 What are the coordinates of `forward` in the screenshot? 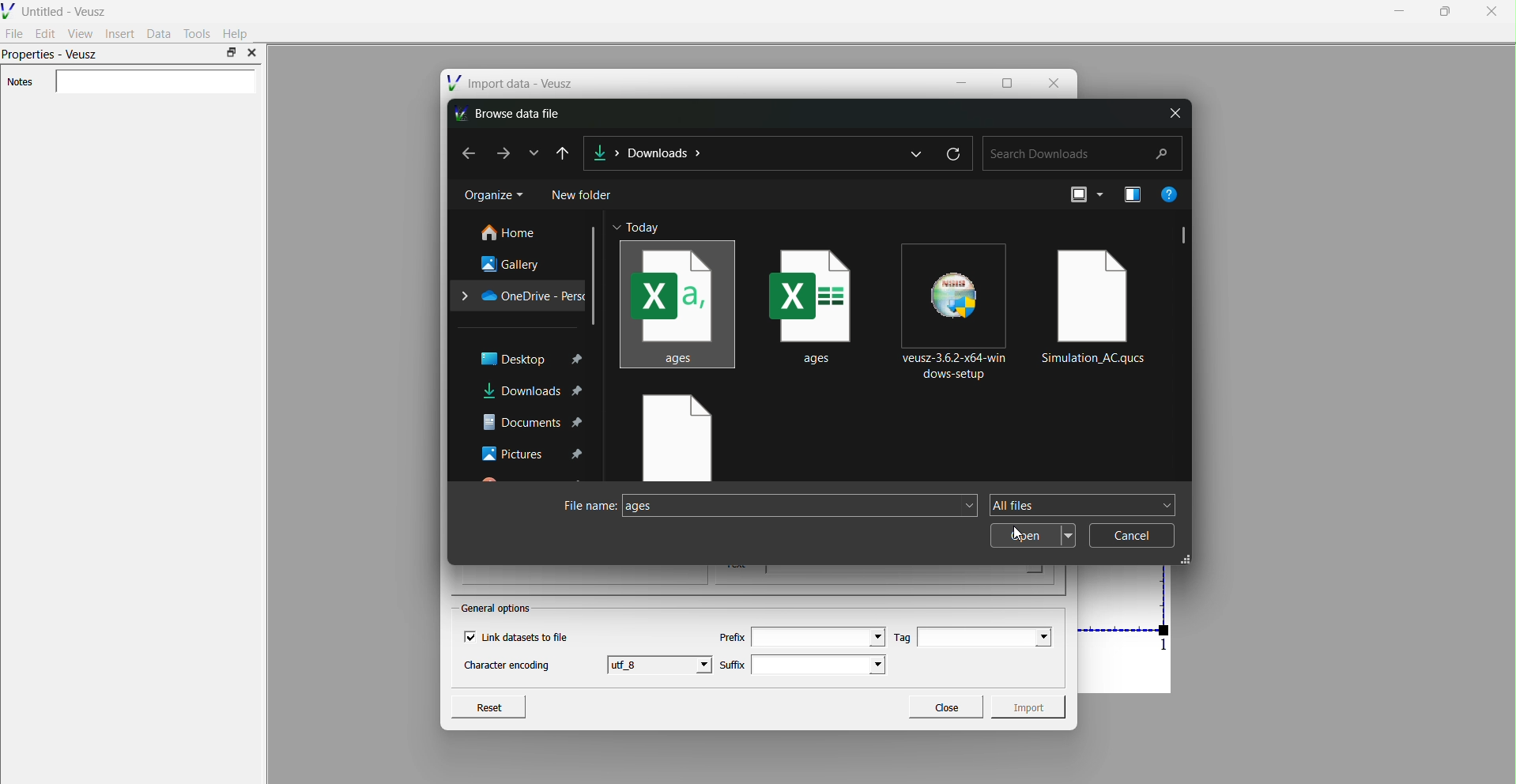 It's located at (505, 153).